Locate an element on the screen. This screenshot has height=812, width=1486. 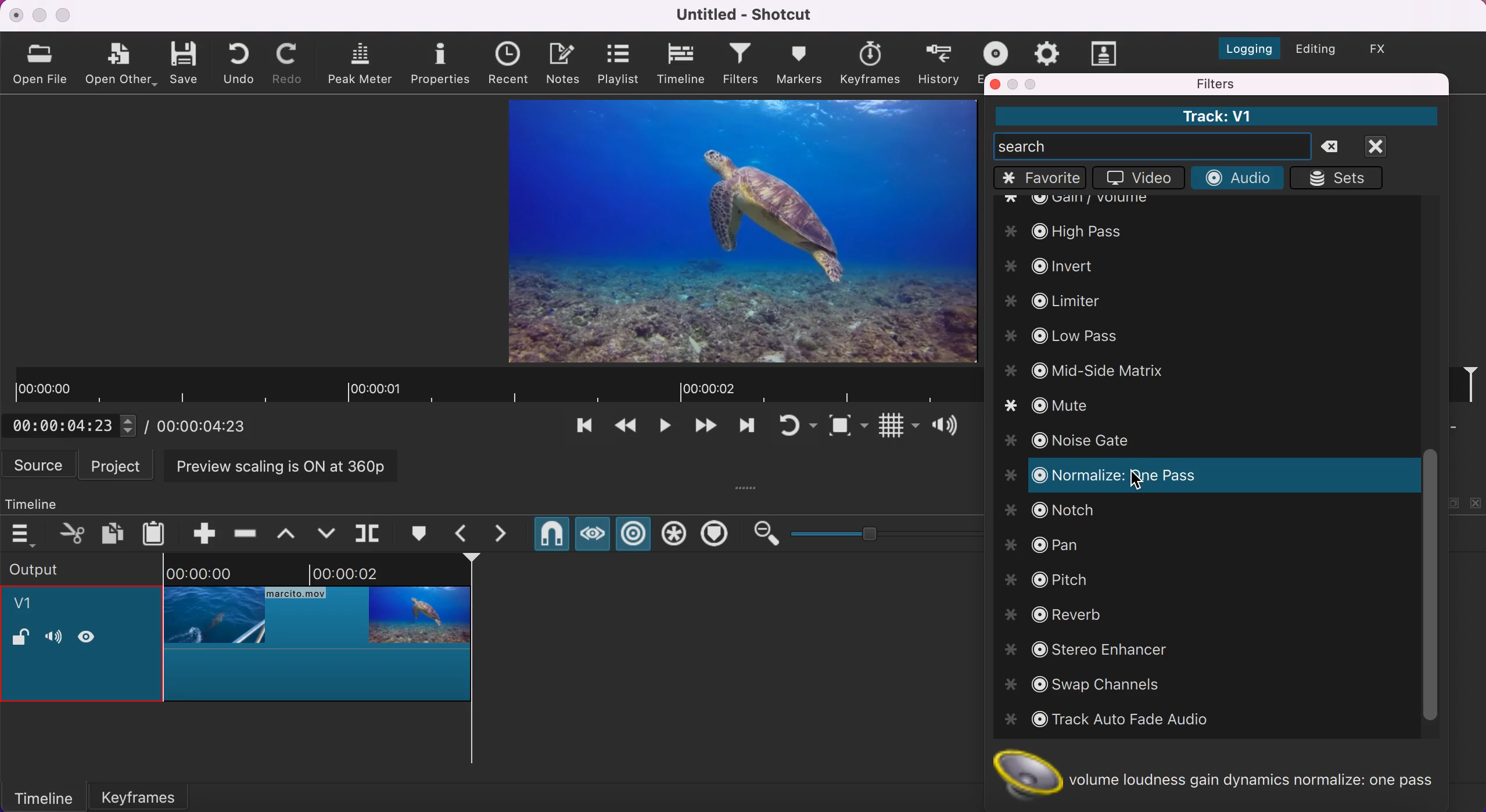
low pass is located at coordinates (1066, 336).